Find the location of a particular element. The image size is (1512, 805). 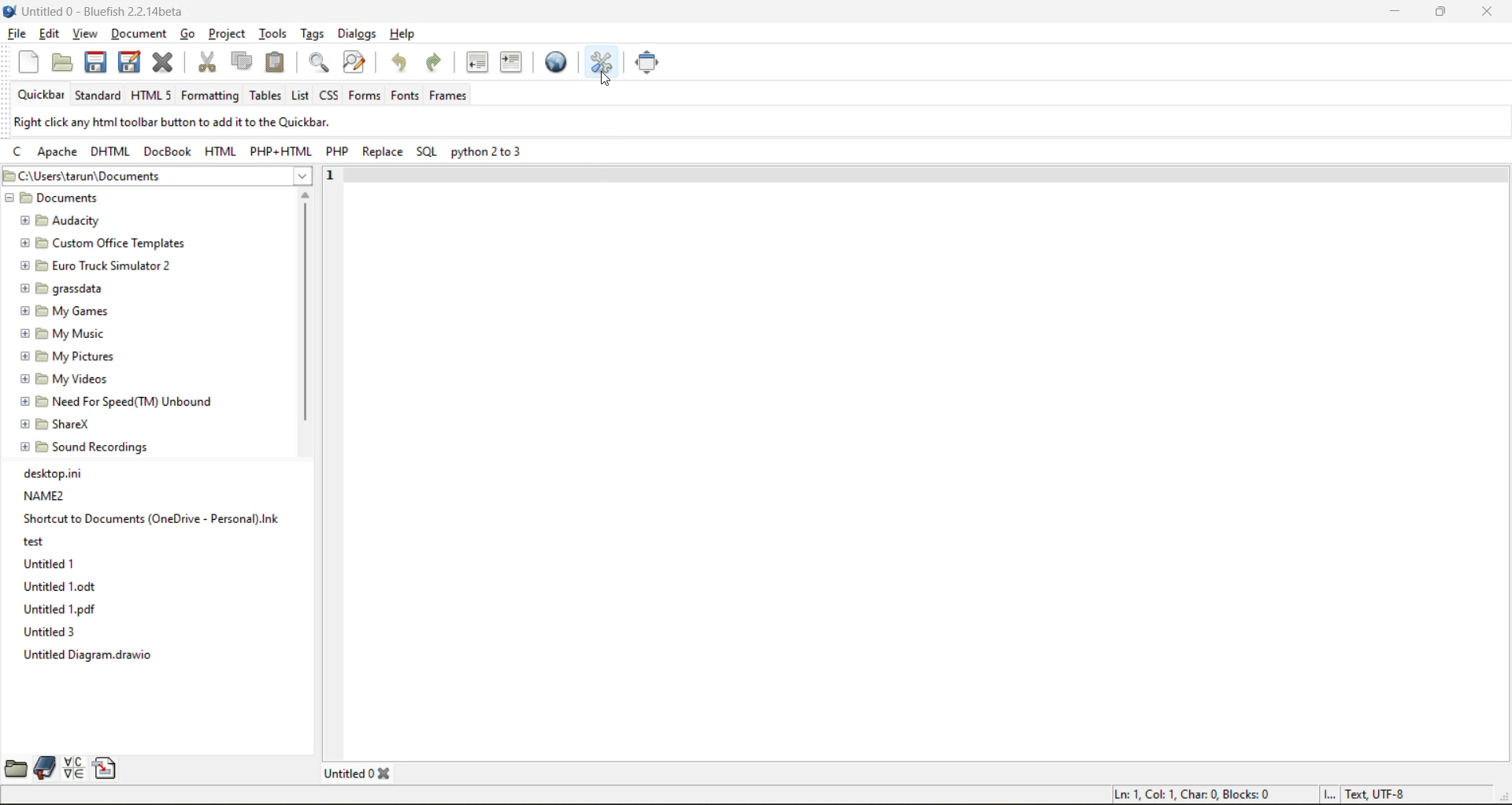

Shortcut to Documents (OneDrive - Personal).Ink is located at coordinates (151, 518).